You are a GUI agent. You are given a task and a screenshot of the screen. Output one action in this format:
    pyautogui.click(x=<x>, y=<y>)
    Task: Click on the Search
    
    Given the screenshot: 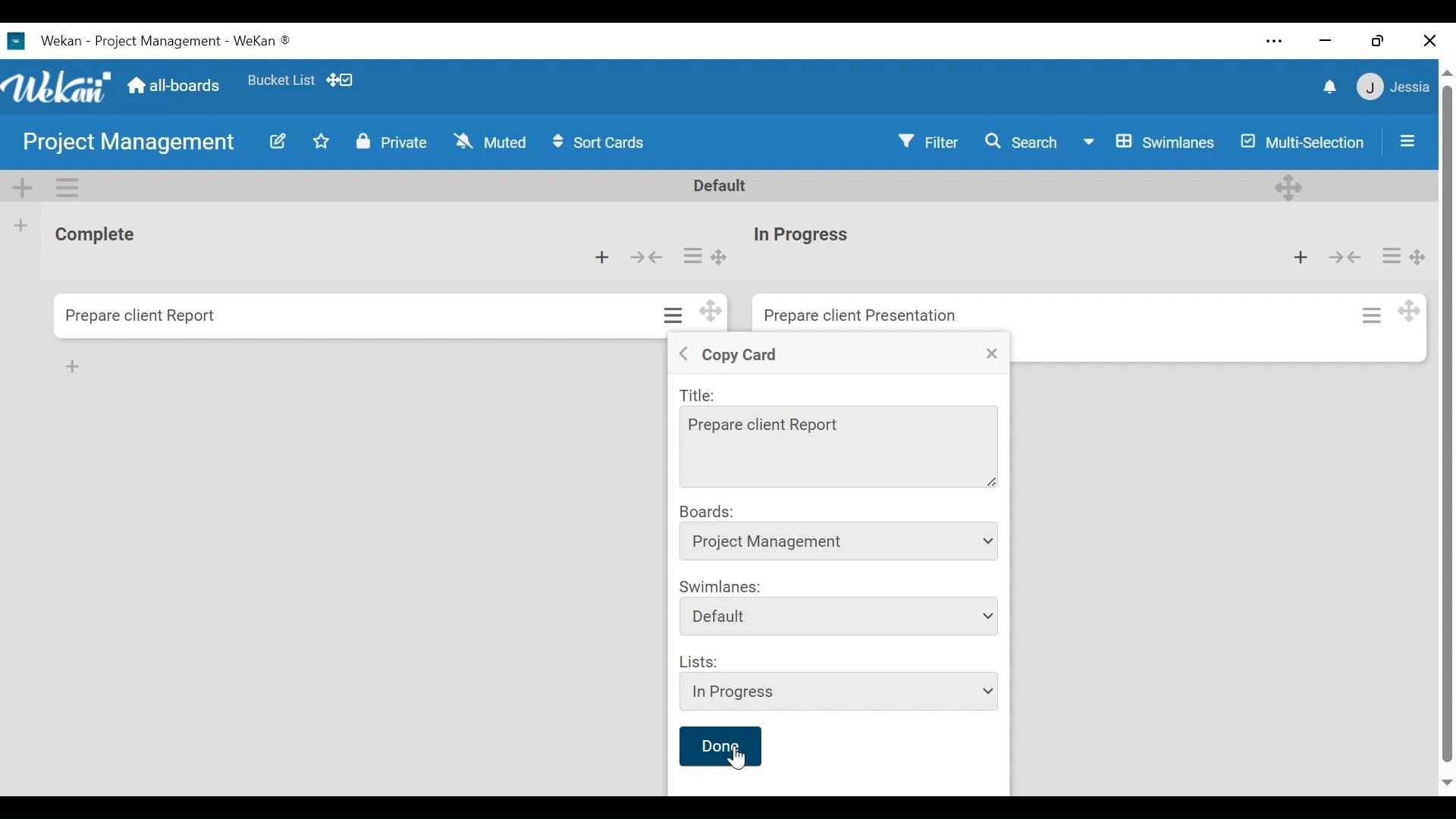 What is the action you would take?
    pyautogui.click(x=1021, y=140)
    